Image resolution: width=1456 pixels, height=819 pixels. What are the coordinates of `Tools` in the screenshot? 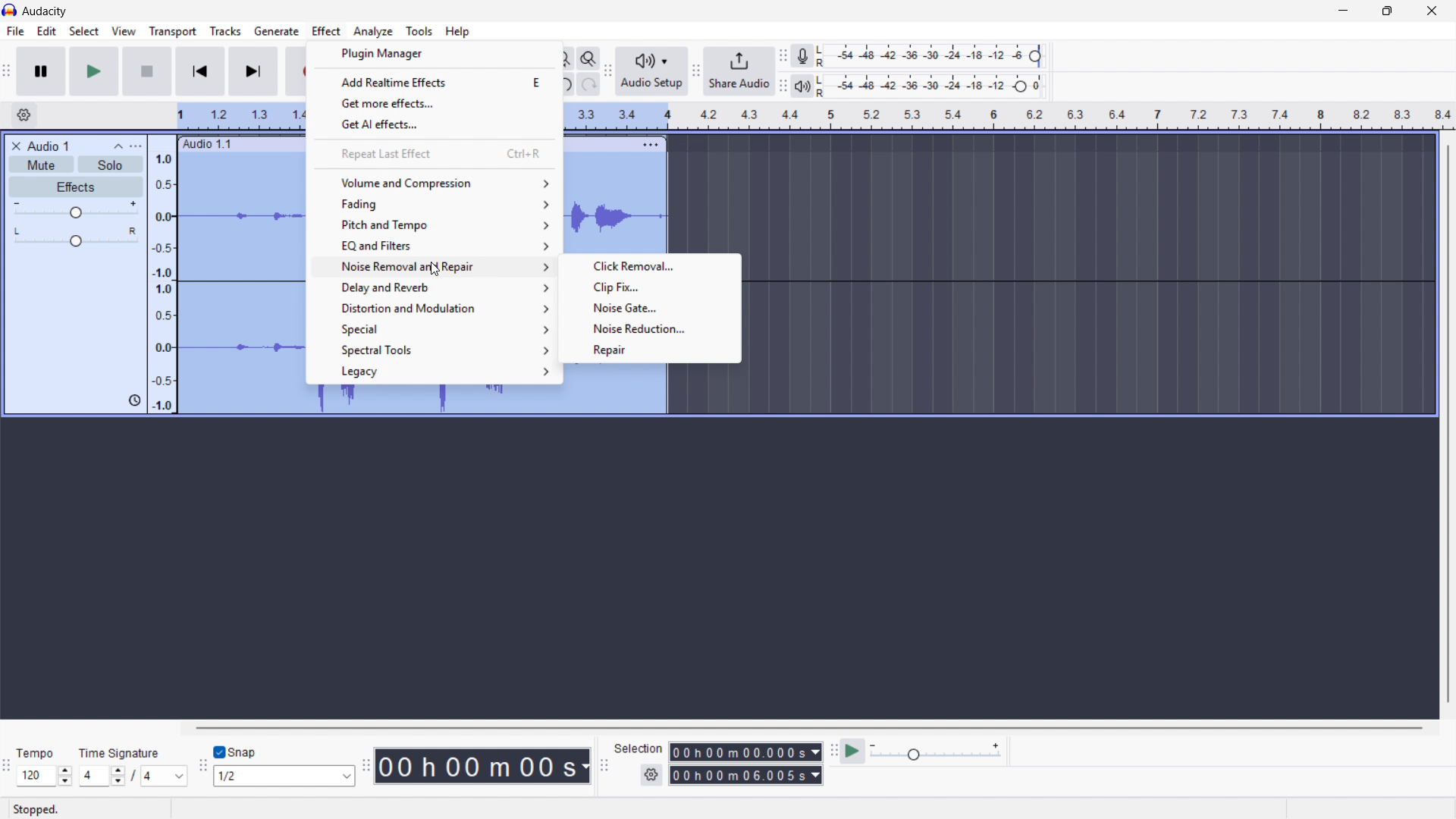 It's located at (419, 31).